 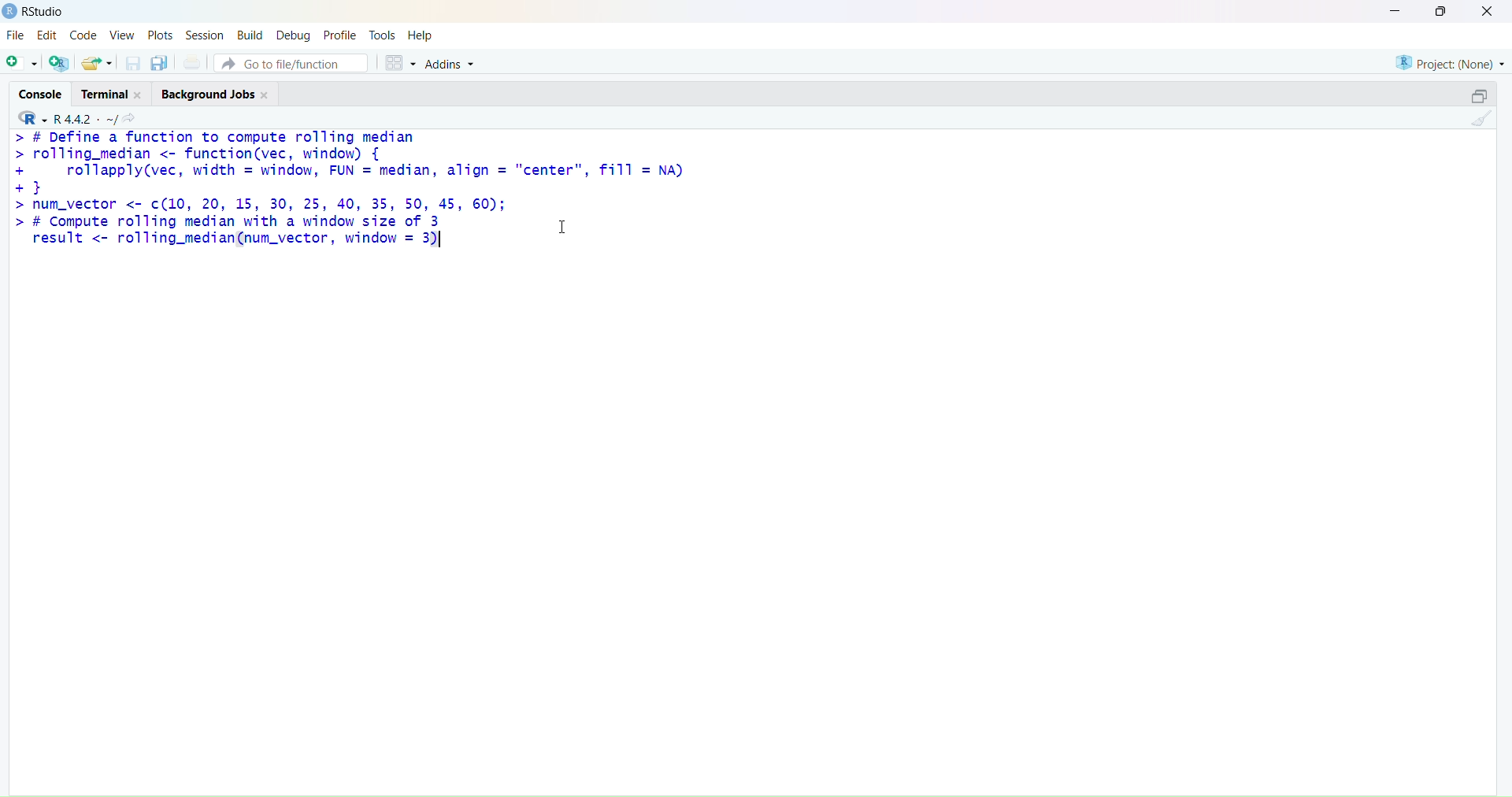 I want to click on go to file/function, so click(x=293, y=64).